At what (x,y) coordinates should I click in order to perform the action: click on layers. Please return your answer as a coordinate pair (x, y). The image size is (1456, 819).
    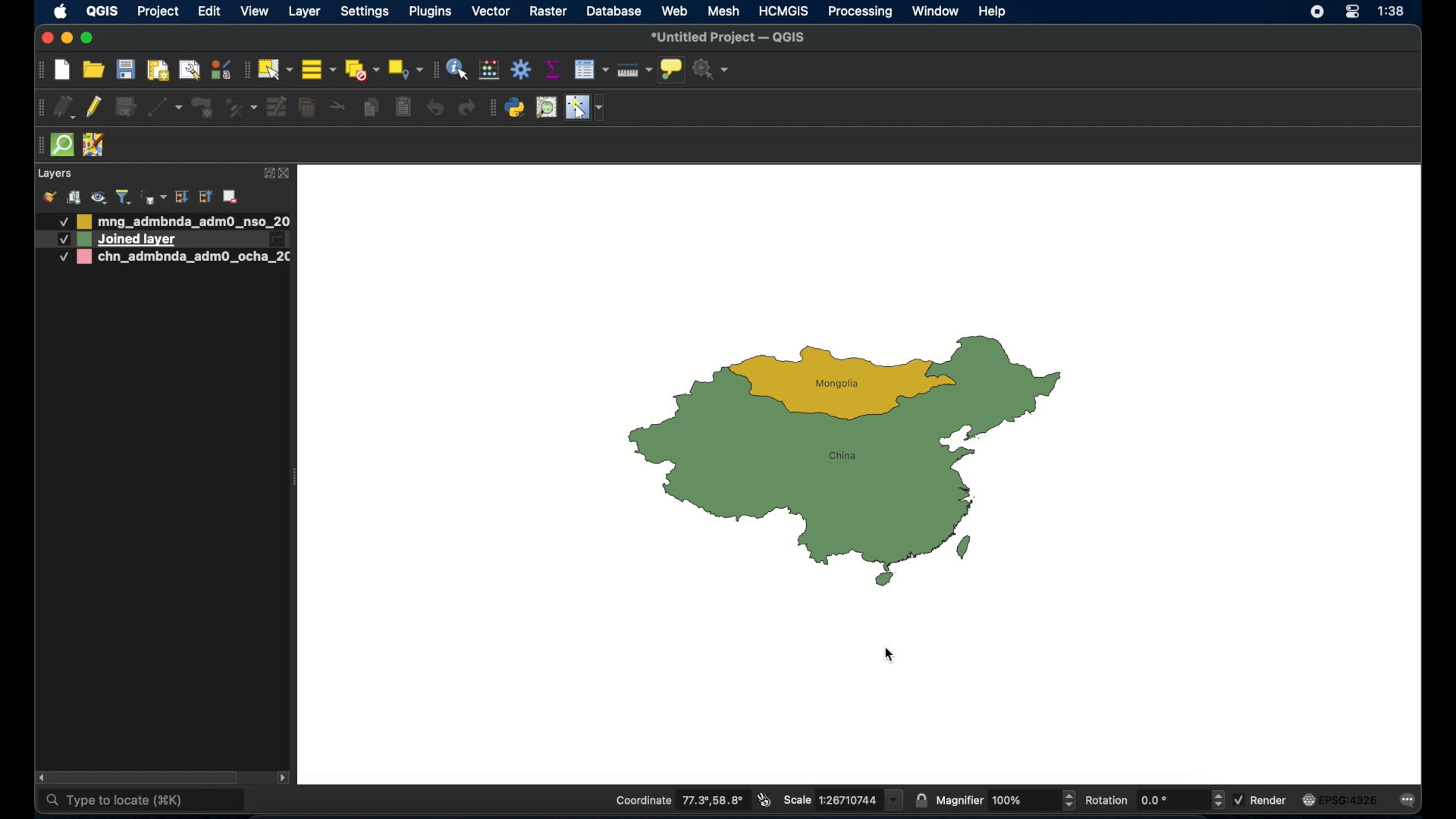
    Looking at the image, I should click on (54, 174).